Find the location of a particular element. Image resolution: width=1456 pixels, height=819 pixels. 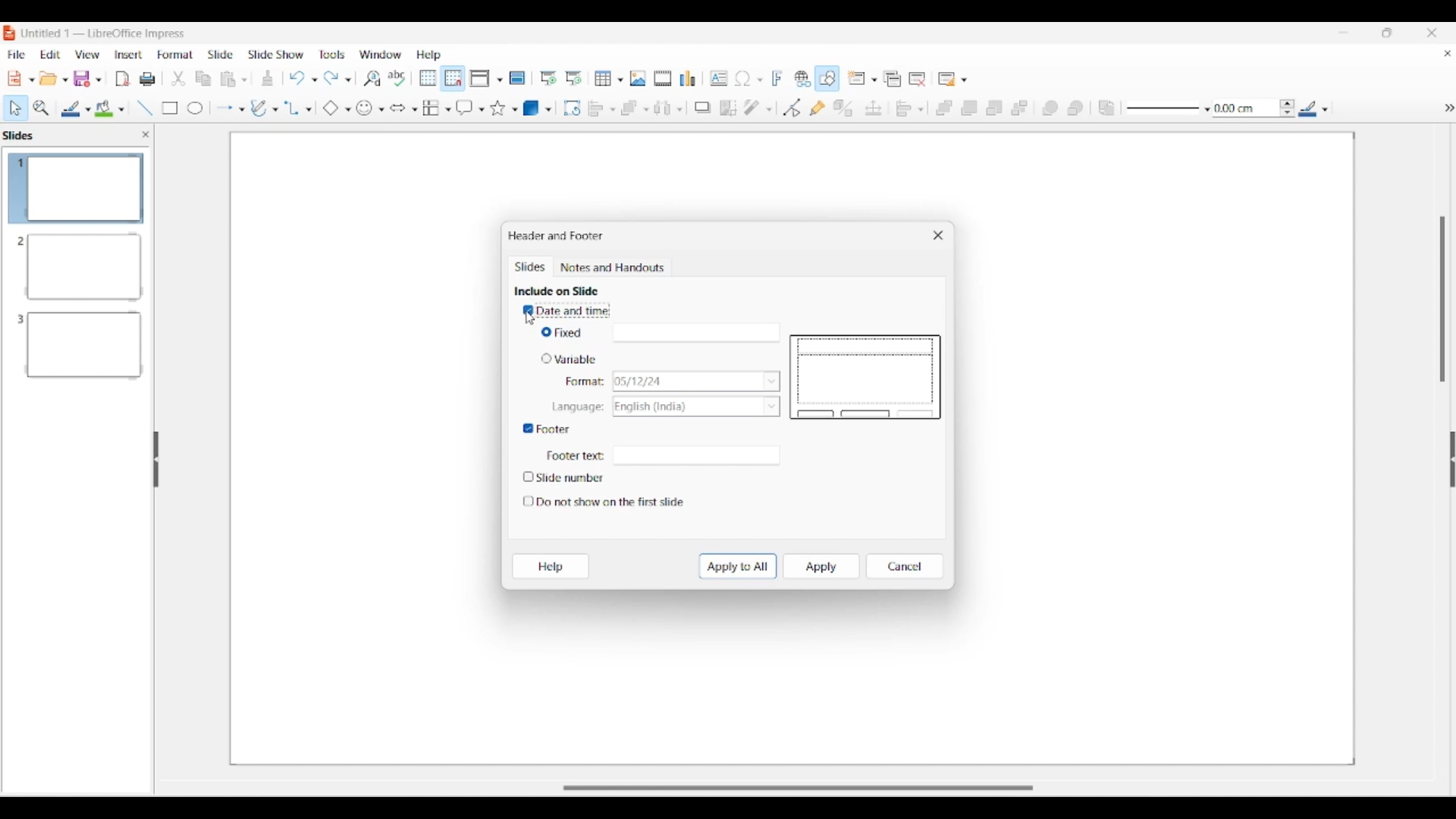

Display grid is located at coordinates (428, 78).